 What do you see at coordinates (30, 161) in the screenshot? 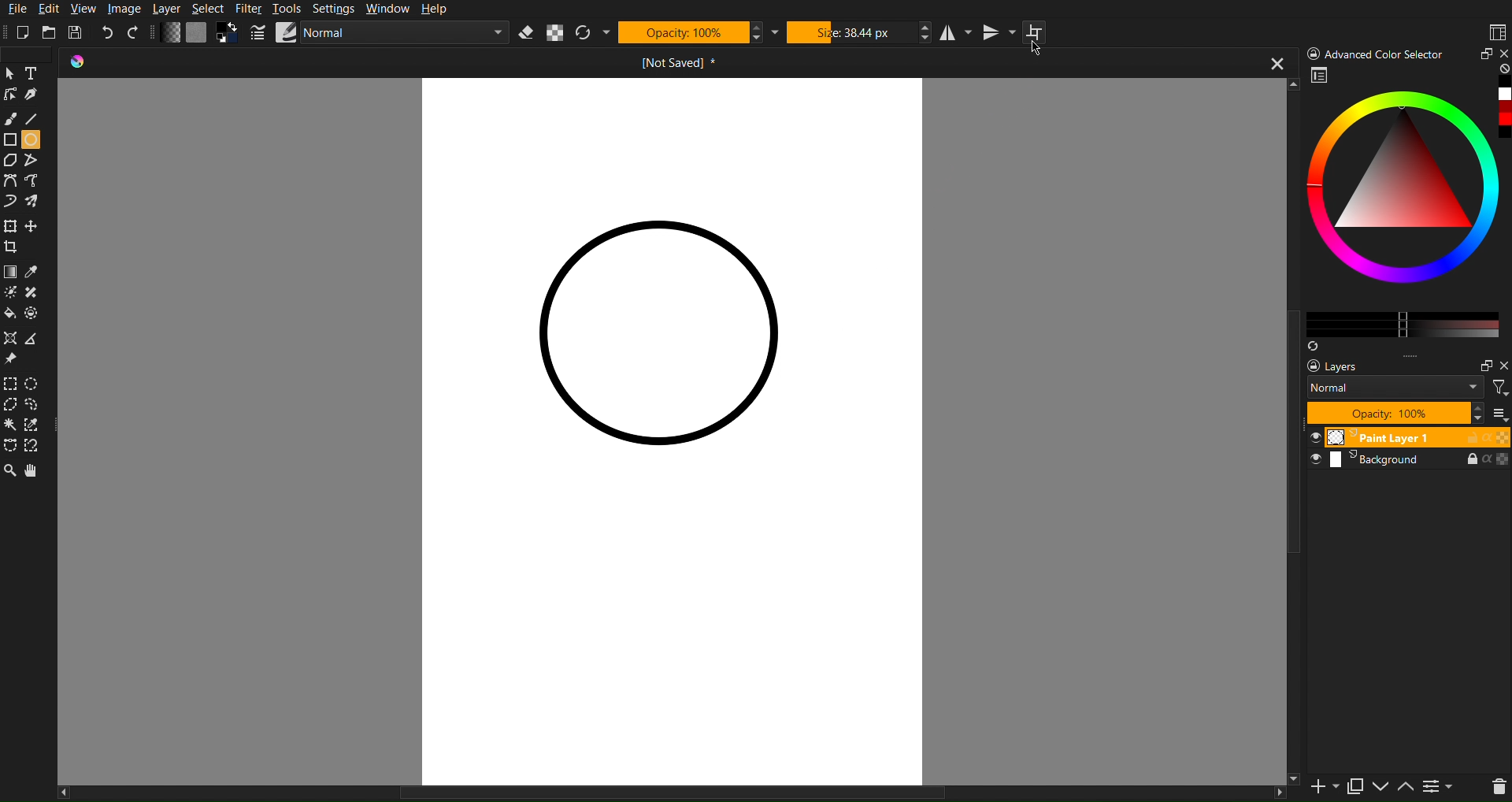
I see `Free polygon` at bounding box center [30, 161].